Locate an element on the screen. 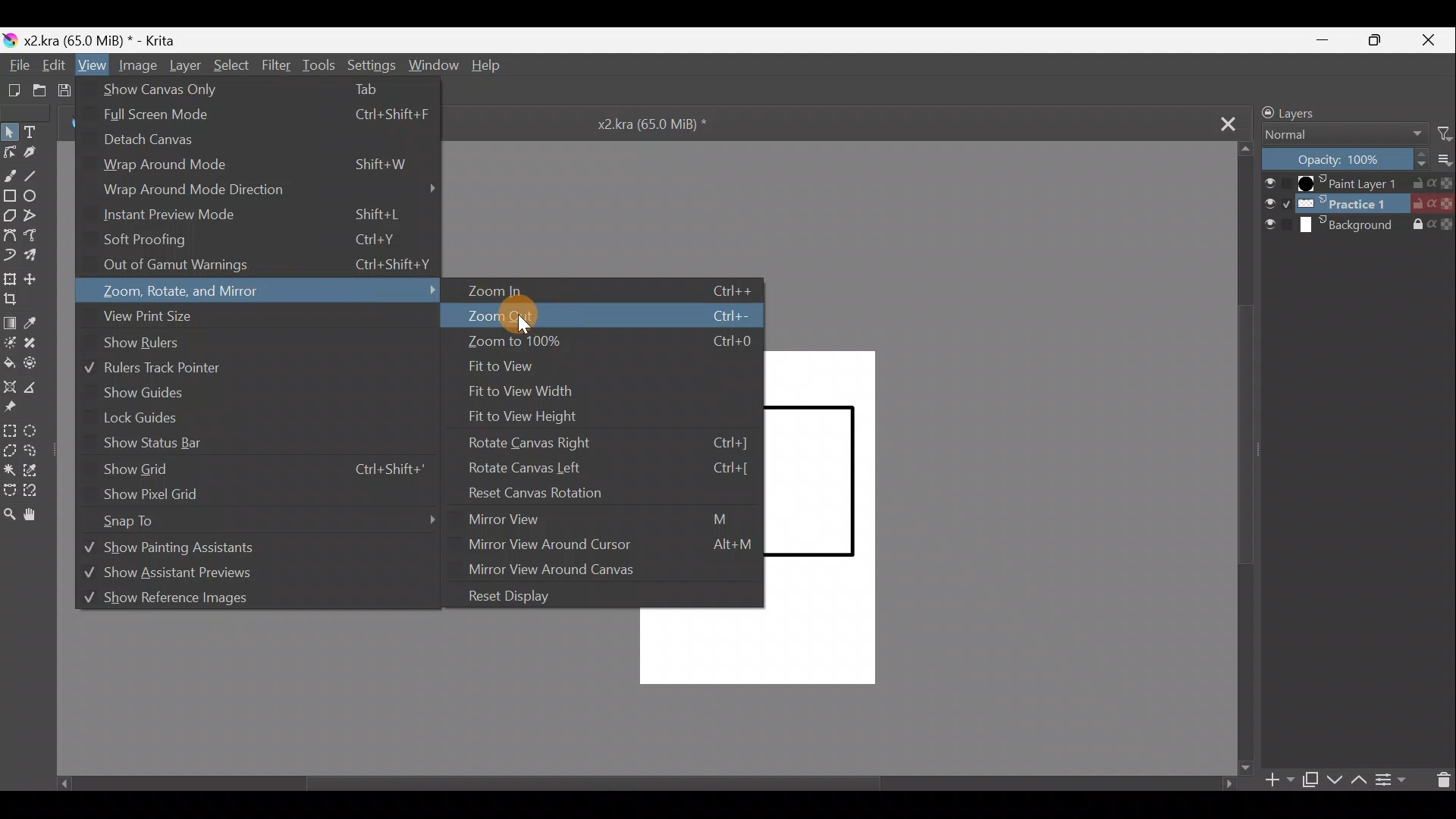  Layer opacity is located at coordinates (1346, 160).